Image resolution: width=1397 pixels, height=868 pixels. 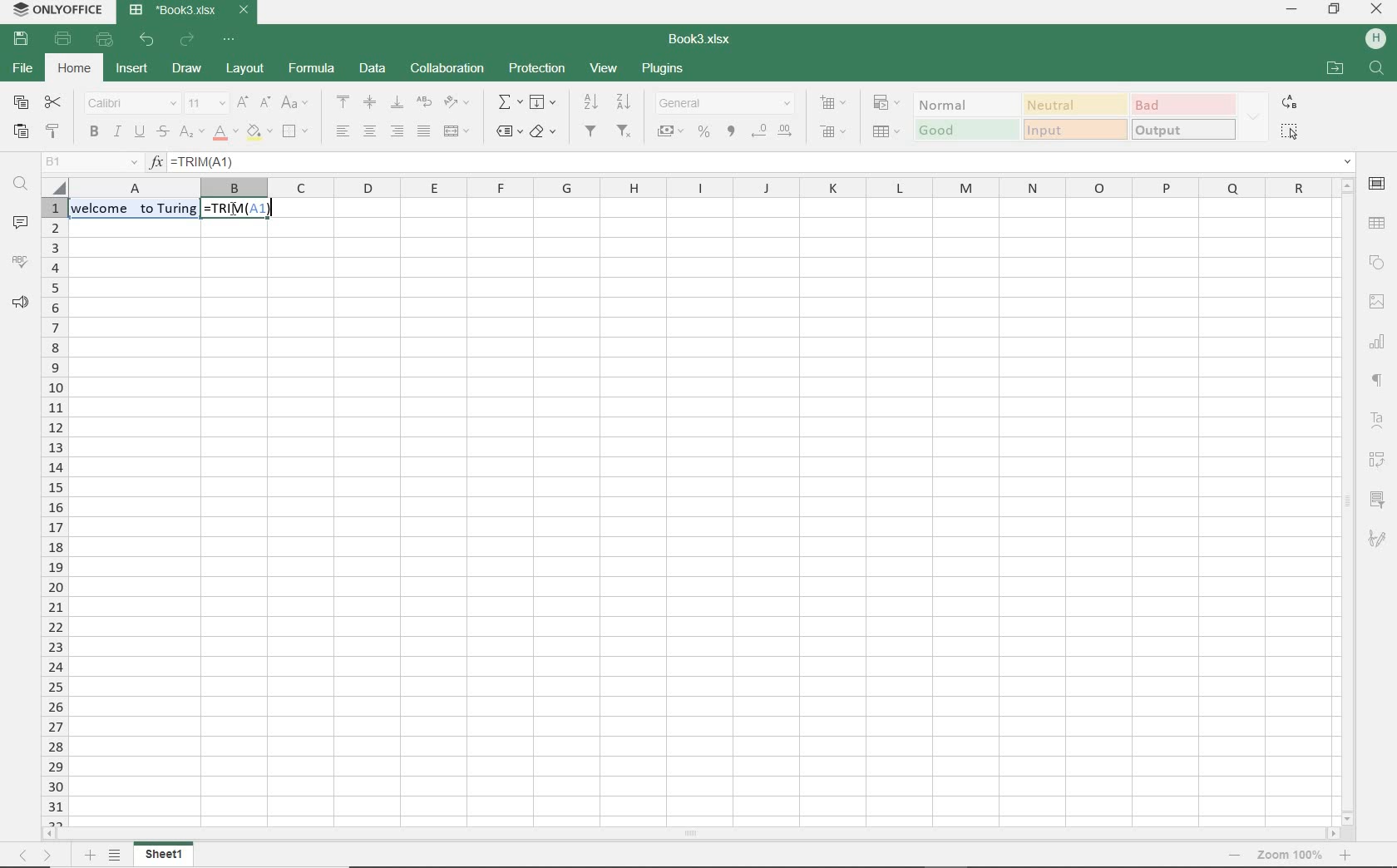 I want to click on spell checking, so click(x=21, y=263).